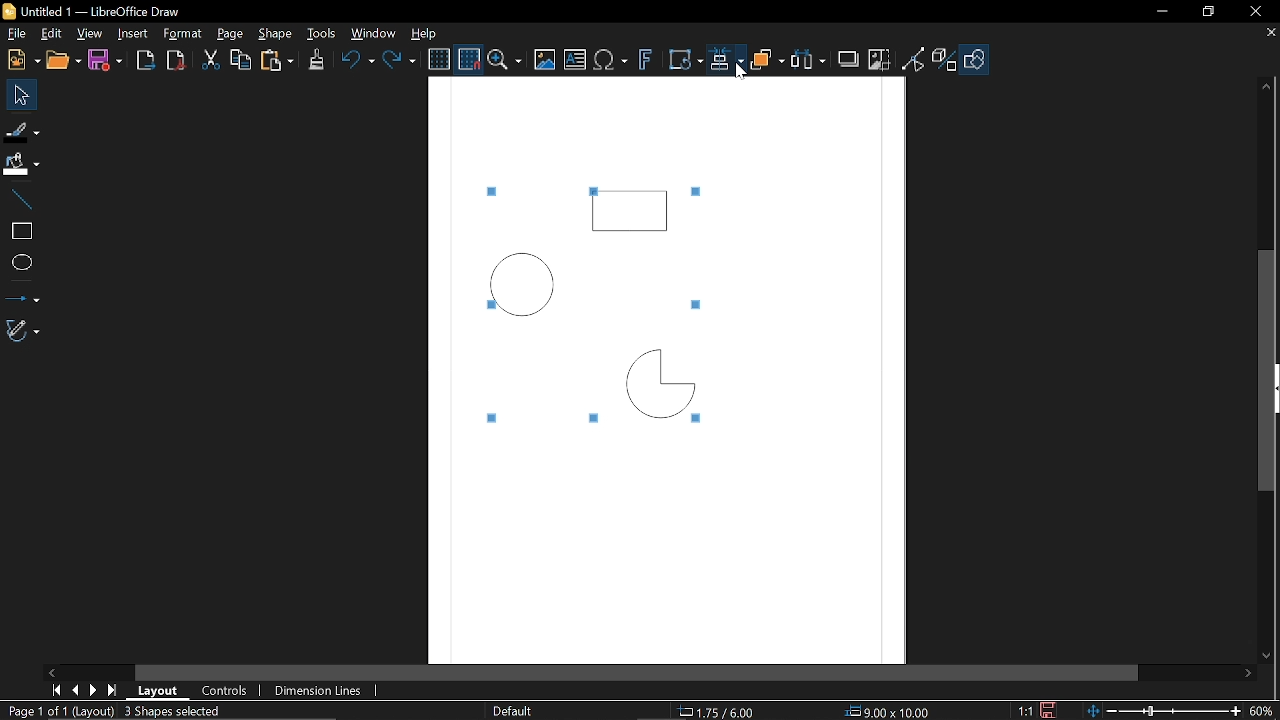  What do you see at coordinates (628, 212) in the screenshot?
I see `Rectangle` at bounding box center [628, 212].